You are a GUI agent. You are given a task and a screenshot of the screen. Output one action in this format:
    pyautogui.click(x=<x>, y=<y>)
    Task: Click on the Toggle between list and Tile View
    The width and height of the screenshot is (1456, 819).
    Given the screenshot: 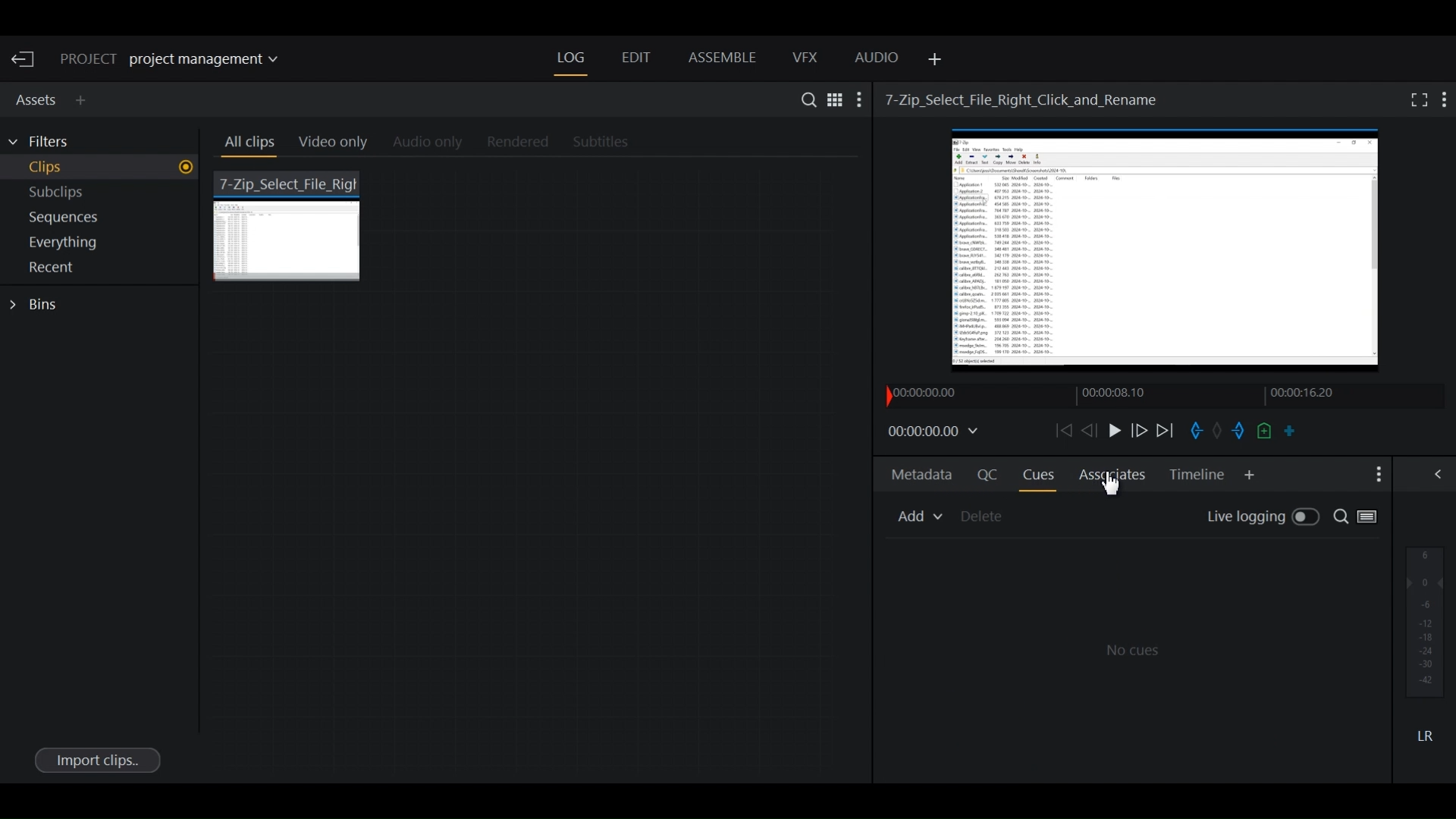 What is the action you would take?
    pyautogui.click(x=833, y=99)
    